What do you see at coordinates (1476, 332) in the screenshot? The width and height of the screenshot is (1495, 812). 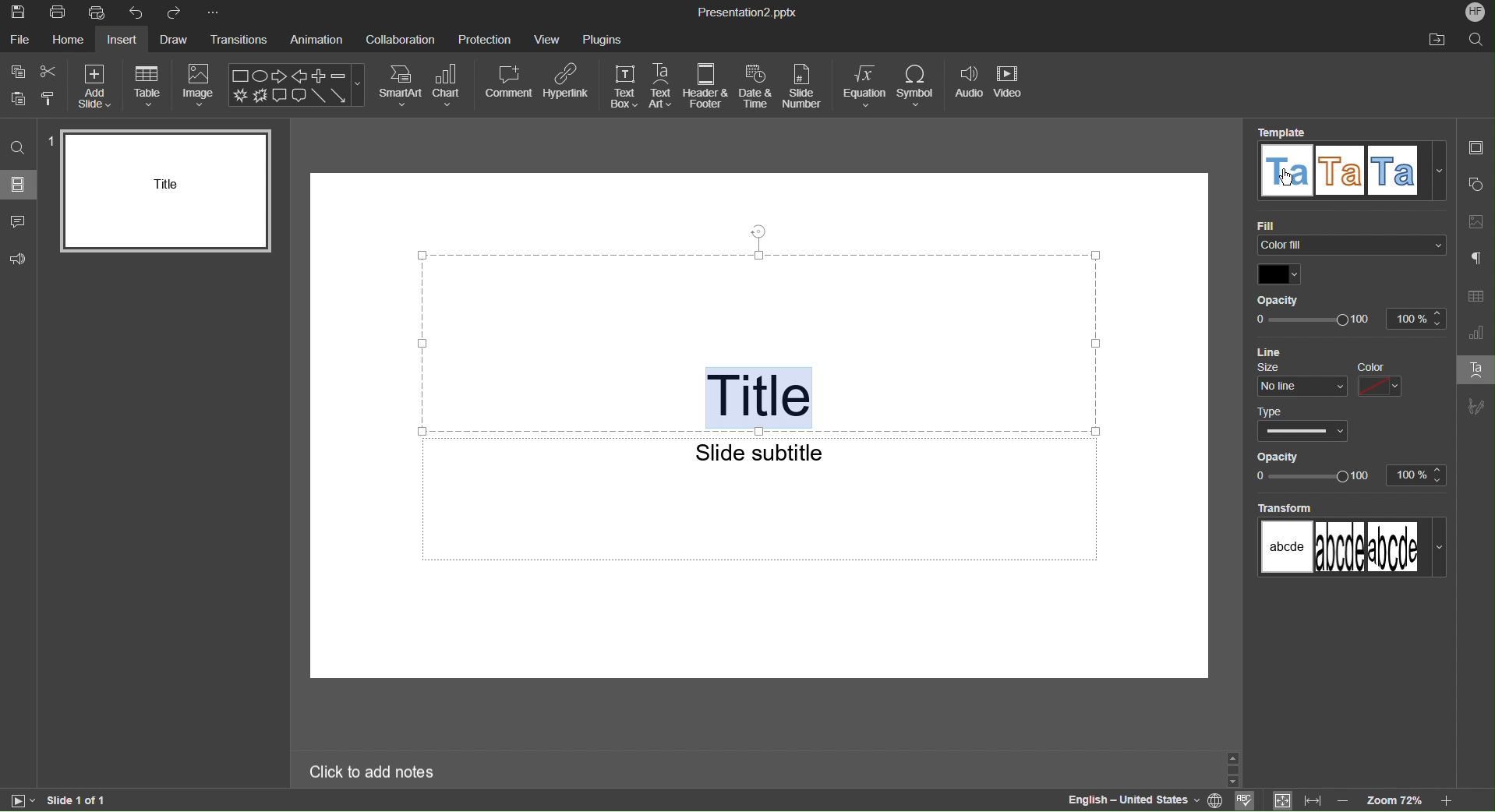 I see `Graph Settings` at bounding box center [1476, 332].